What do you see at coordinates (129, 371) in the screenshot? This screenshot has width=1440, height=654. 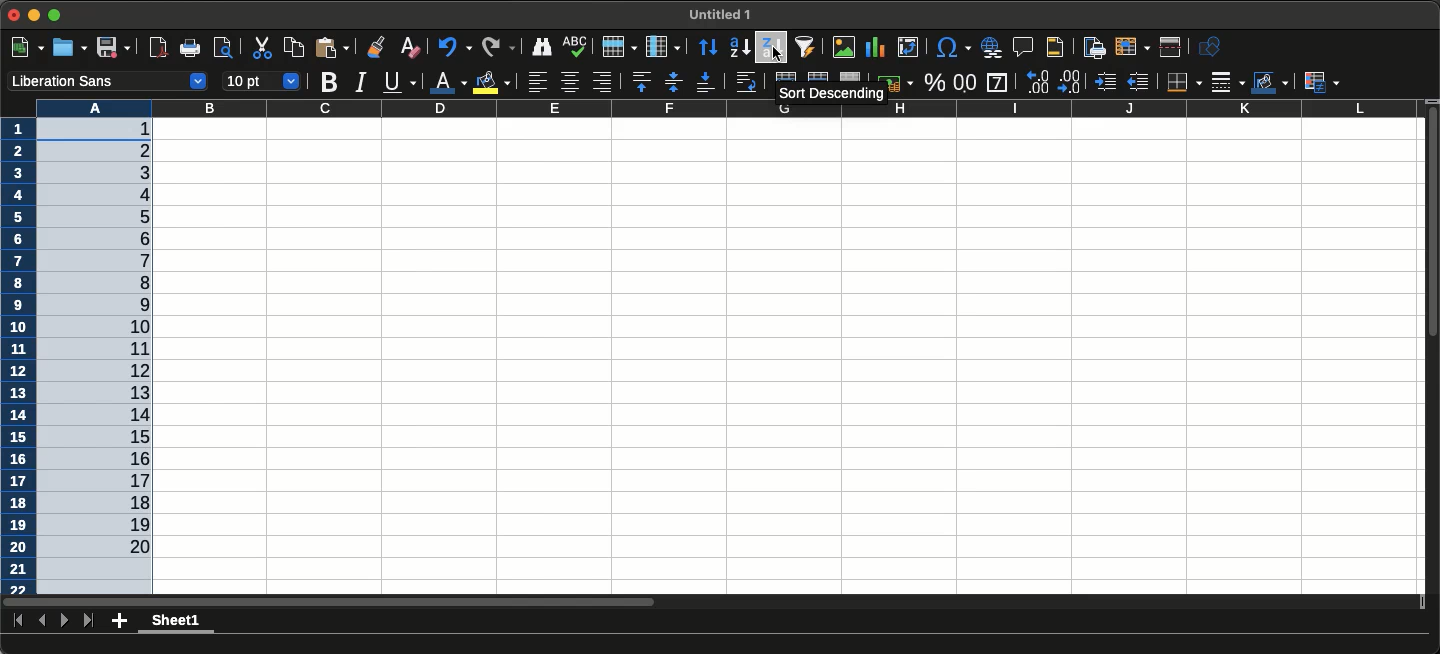 I see `12` at bounding box center [129, 371].